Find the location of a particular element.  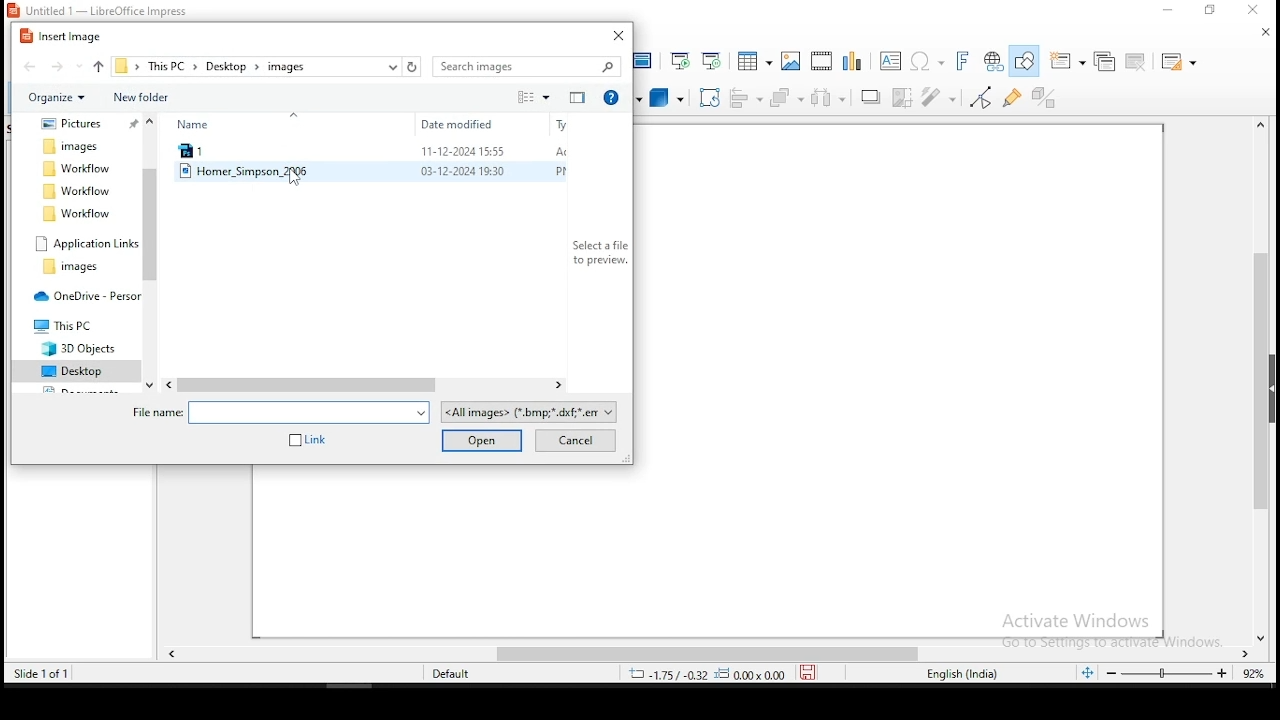

system folder is located at coordinates (65, 323).